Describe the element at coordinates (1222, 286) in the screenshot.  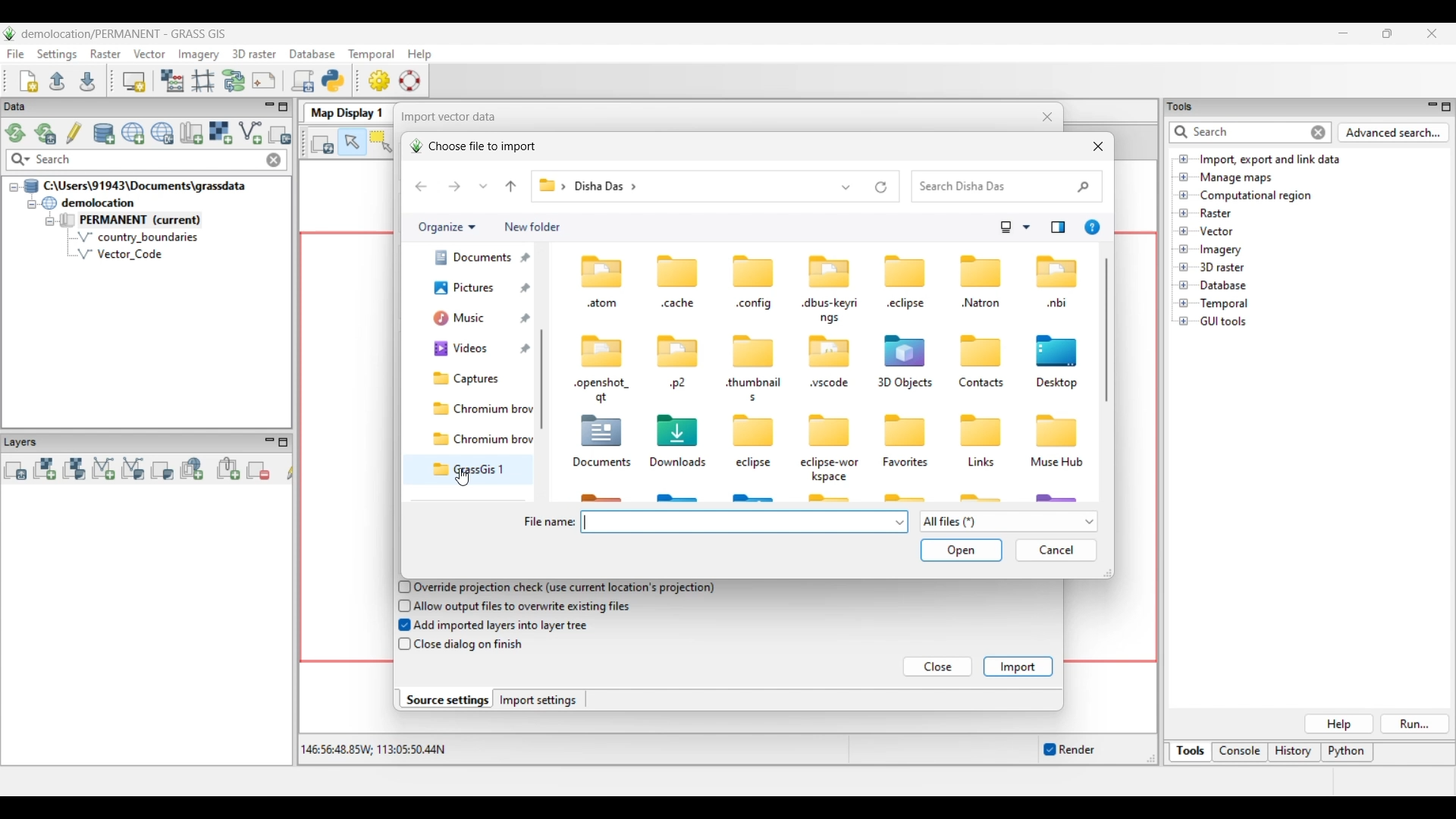
I see `Double click to see files under Database` at that location.